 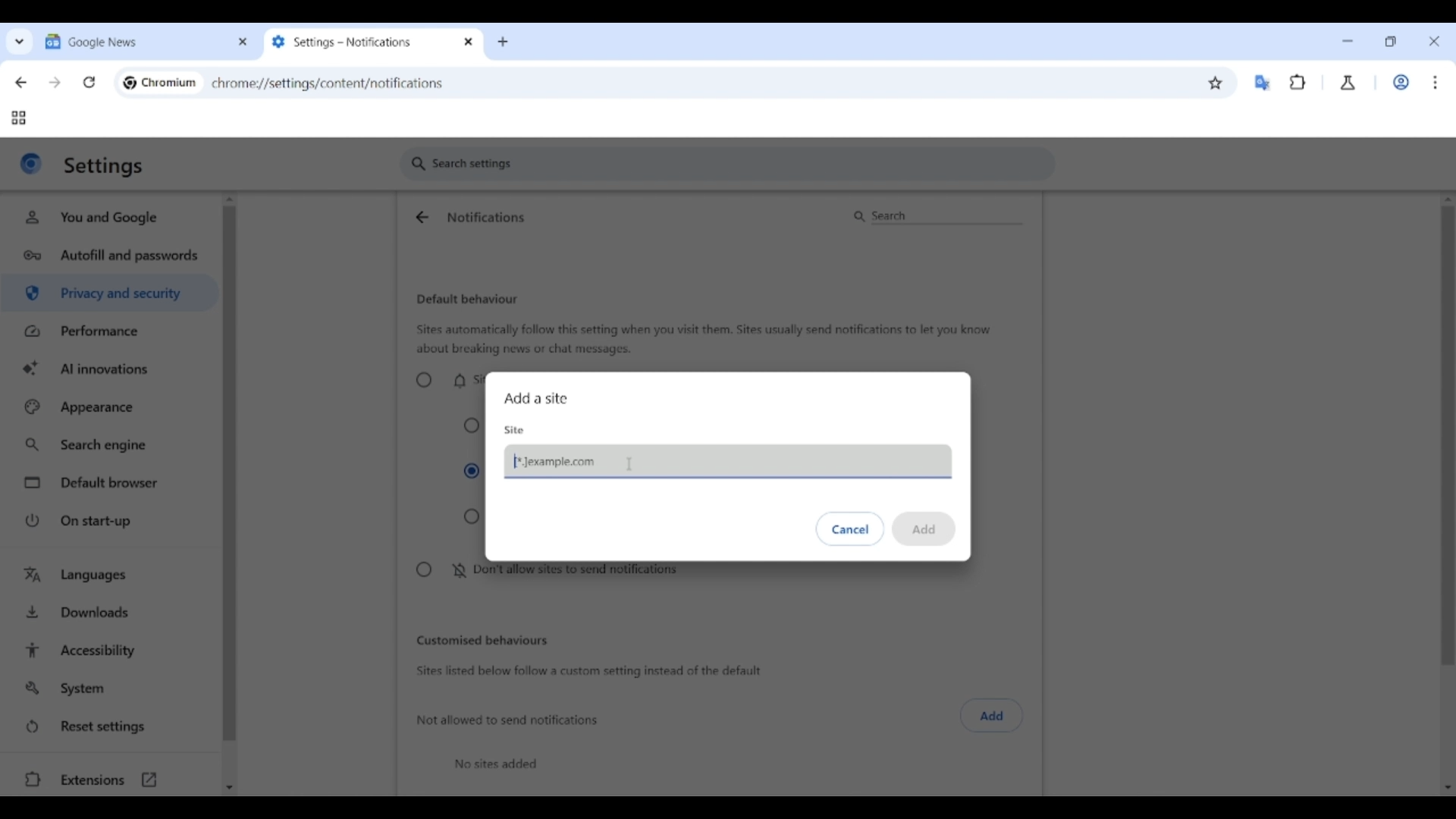 What do you see at coordinates (545, 573) in the screenshot?
I see `Don't allow sites to send notifications` at bounding box center [545, 573].